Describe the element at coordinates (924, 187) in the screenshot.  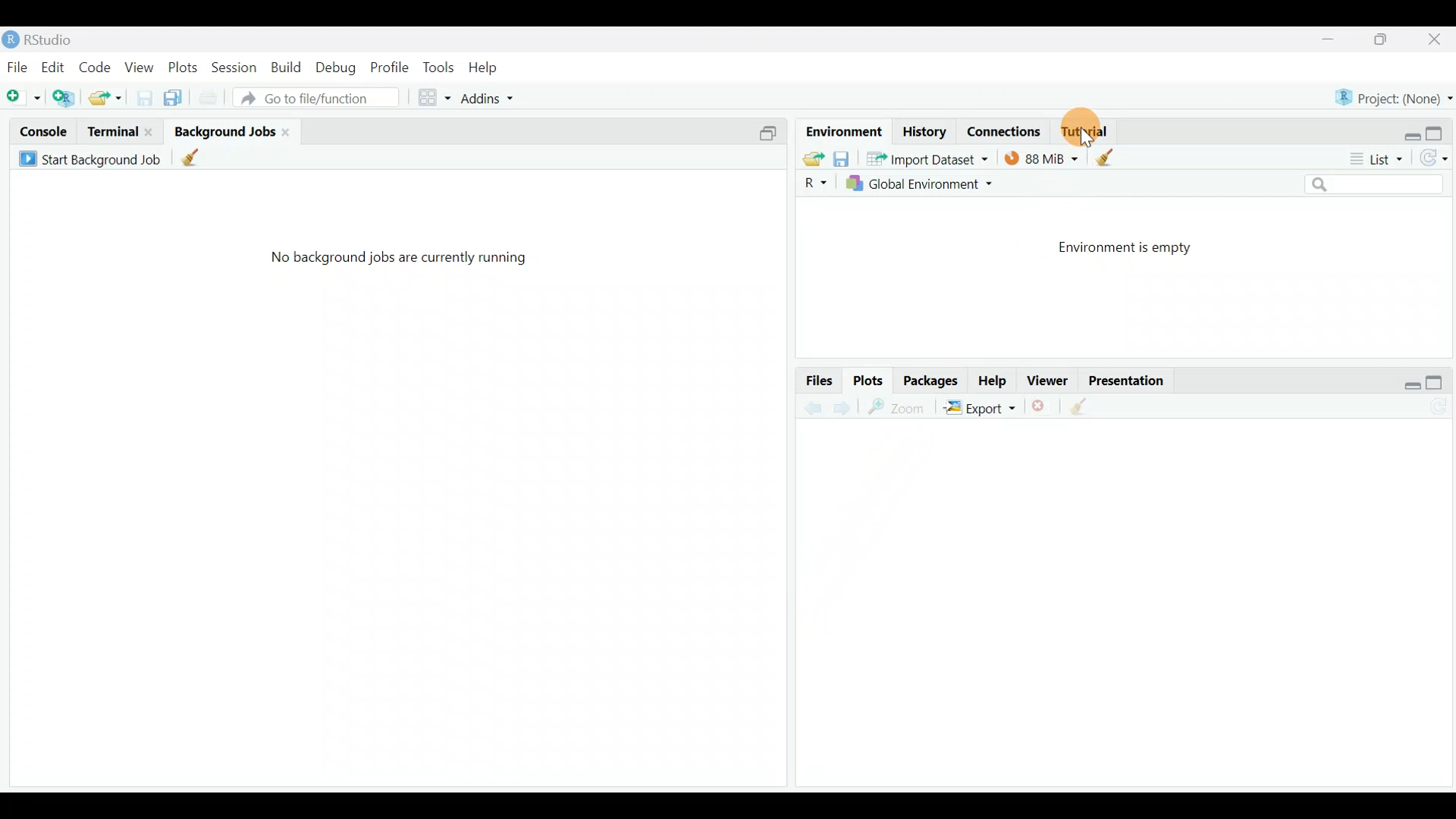
I see `Global Environment ~` at that location.